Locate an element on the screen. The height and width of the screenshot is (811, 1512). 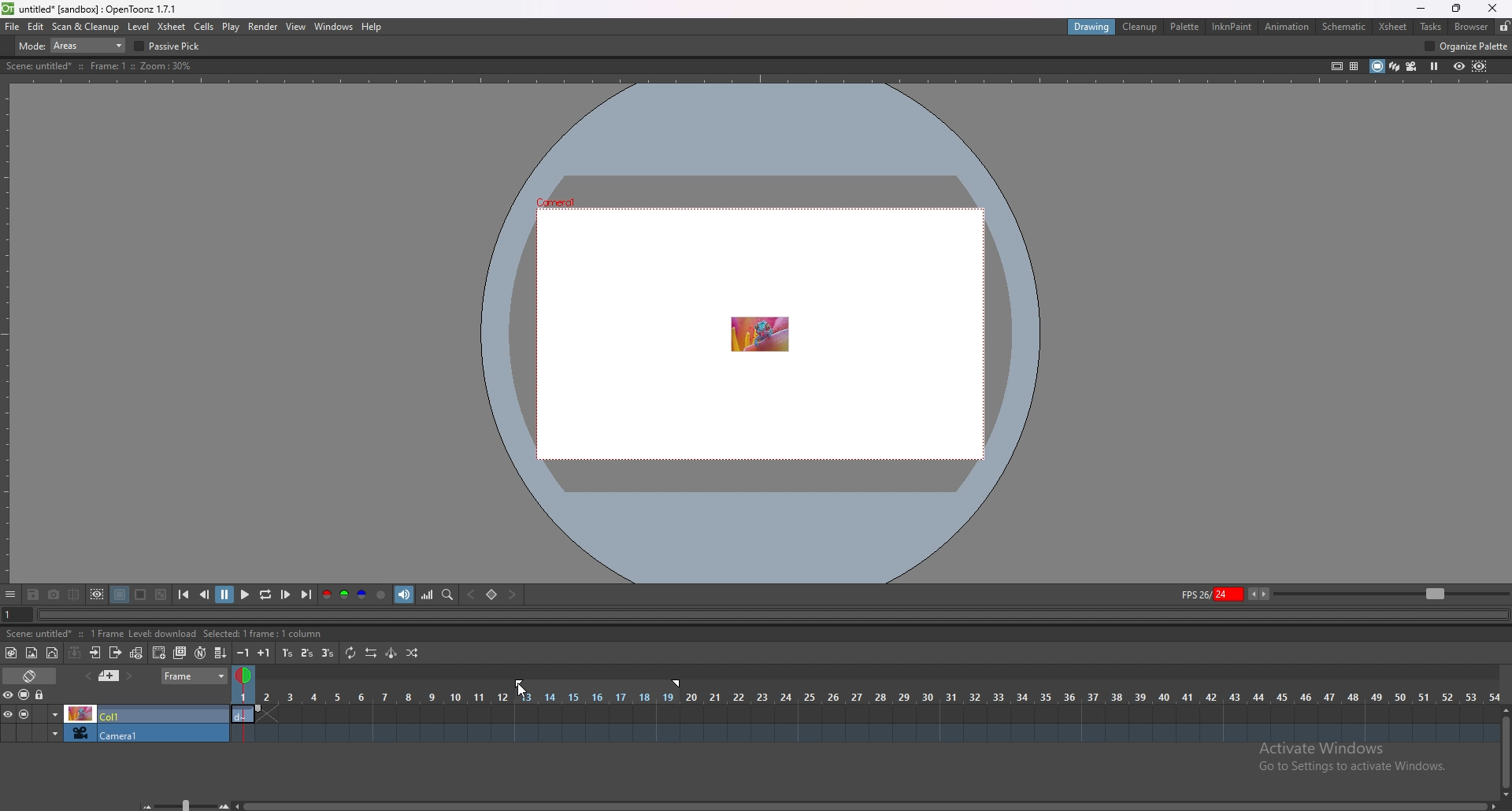
fill in empty cells is located at coordinates (219, 653).